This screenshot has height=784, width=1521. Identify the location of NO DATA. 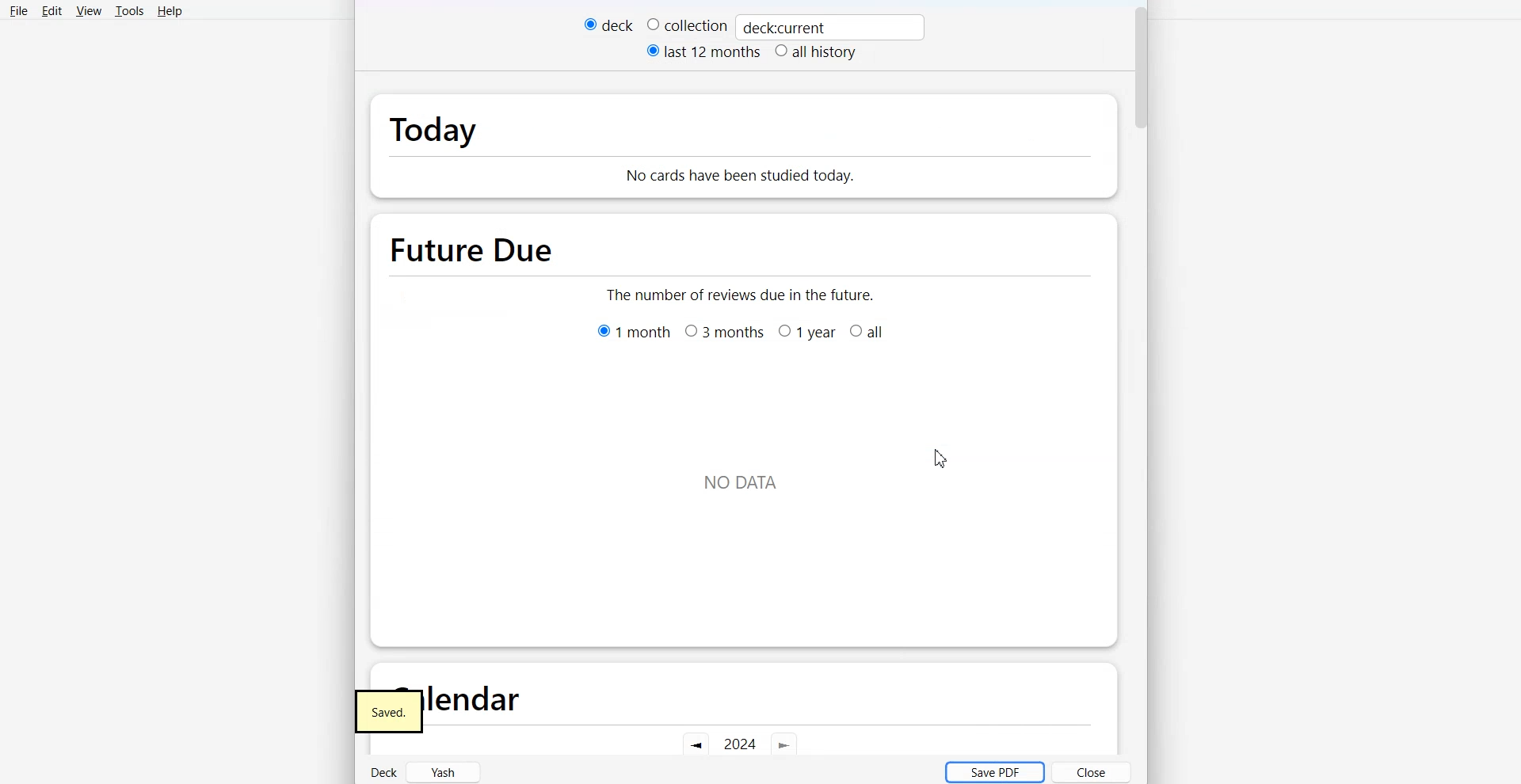
(741, 485).